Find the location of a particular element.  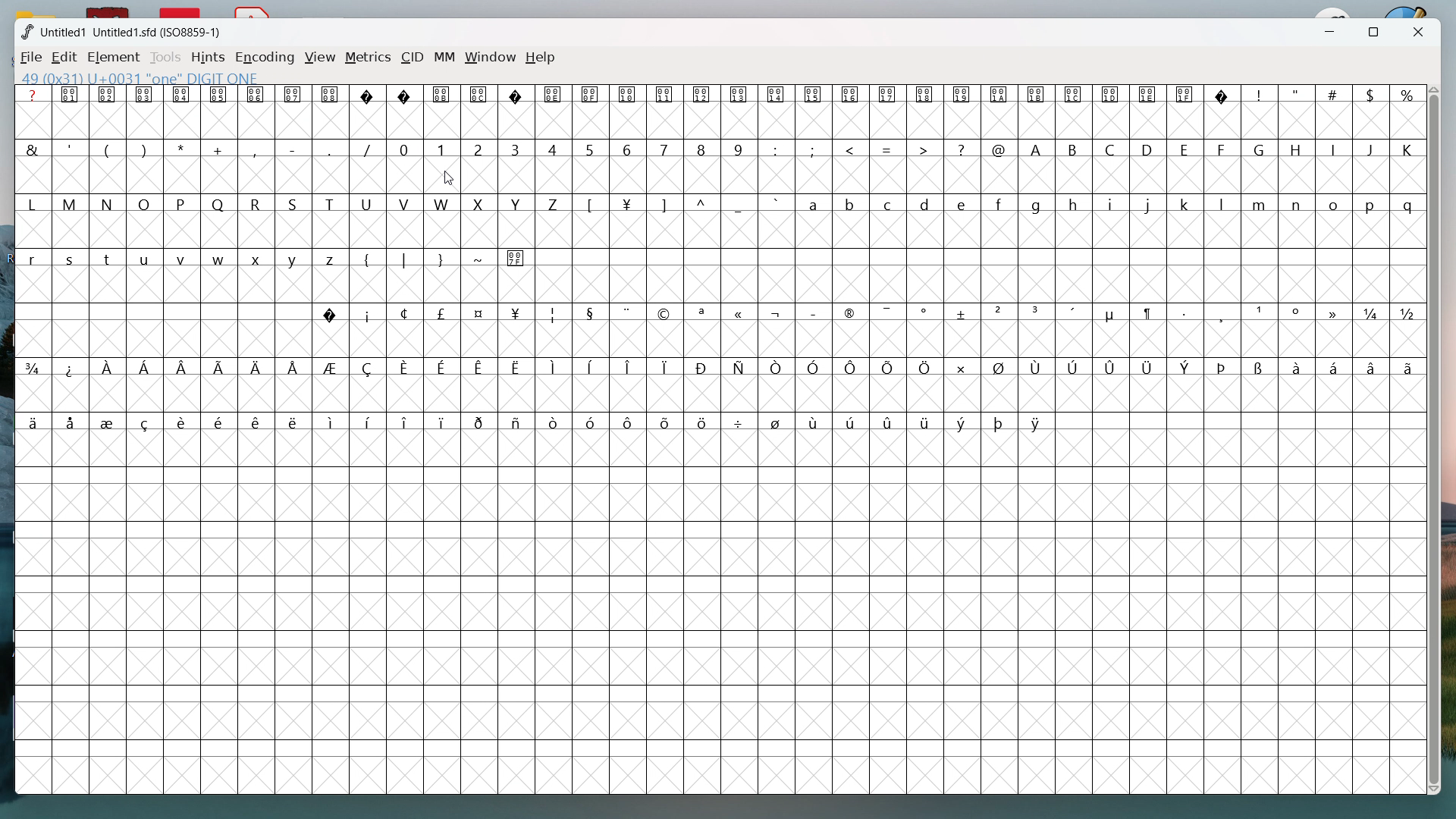

symbol is located at coordinates (851, 423).